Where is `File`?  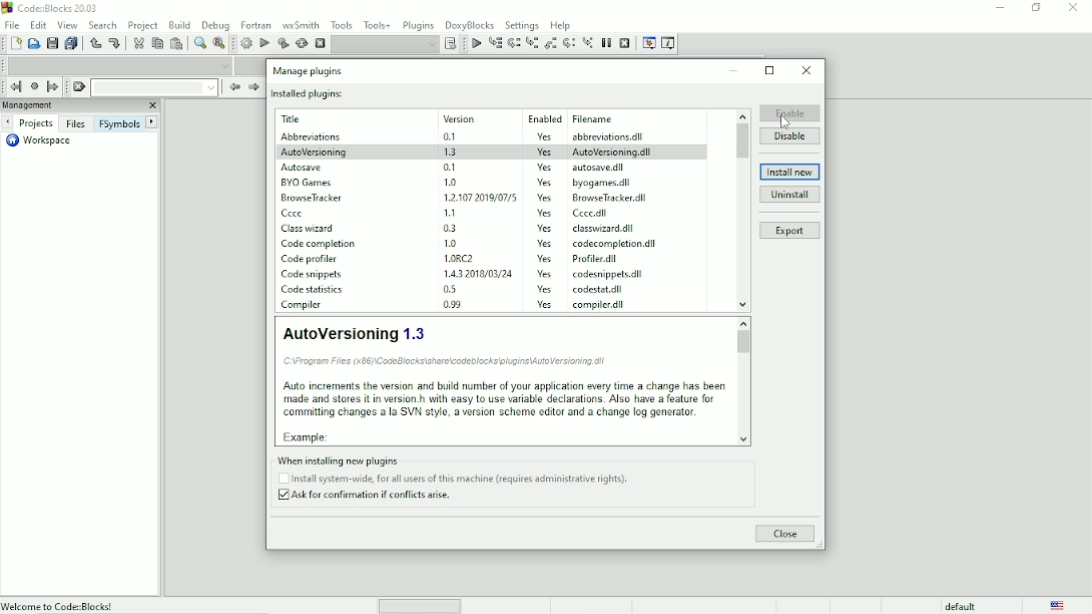 File is located at coordinates (12, 24).